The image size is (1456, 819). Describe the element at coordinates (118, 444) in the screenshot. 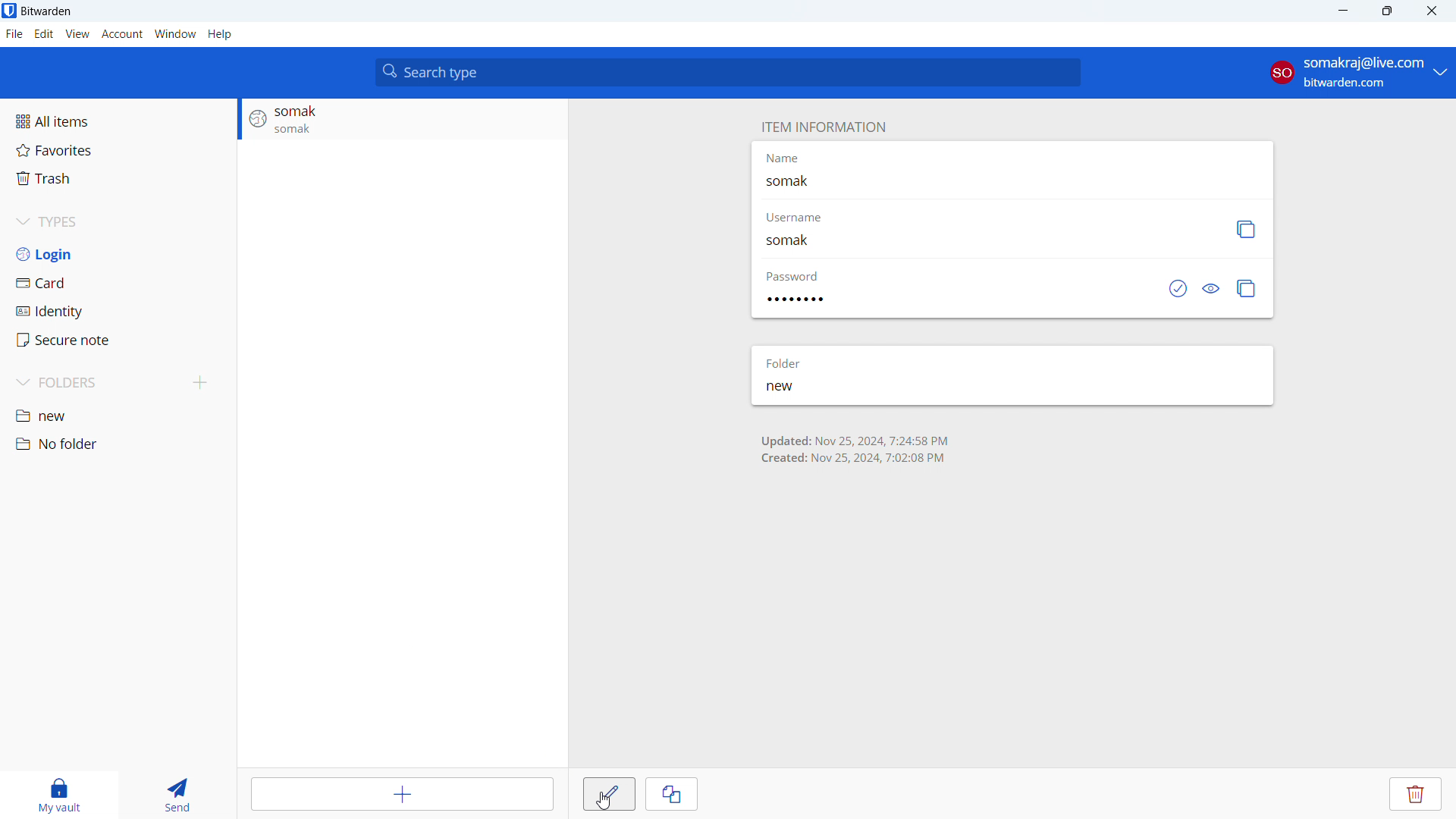

I see `no folder` at that location.